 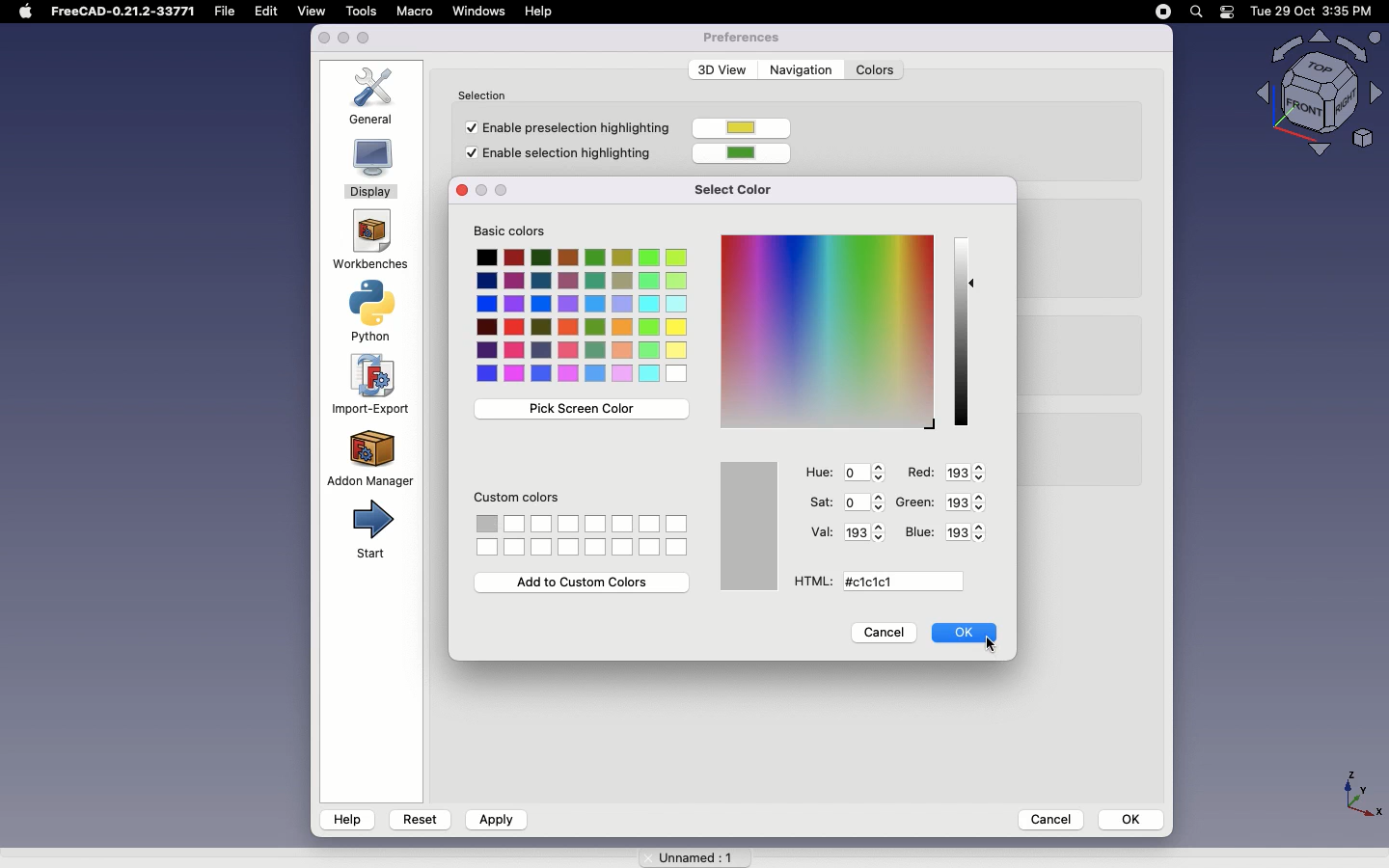 I want to click on Cancel, so click(x=885, y=635).